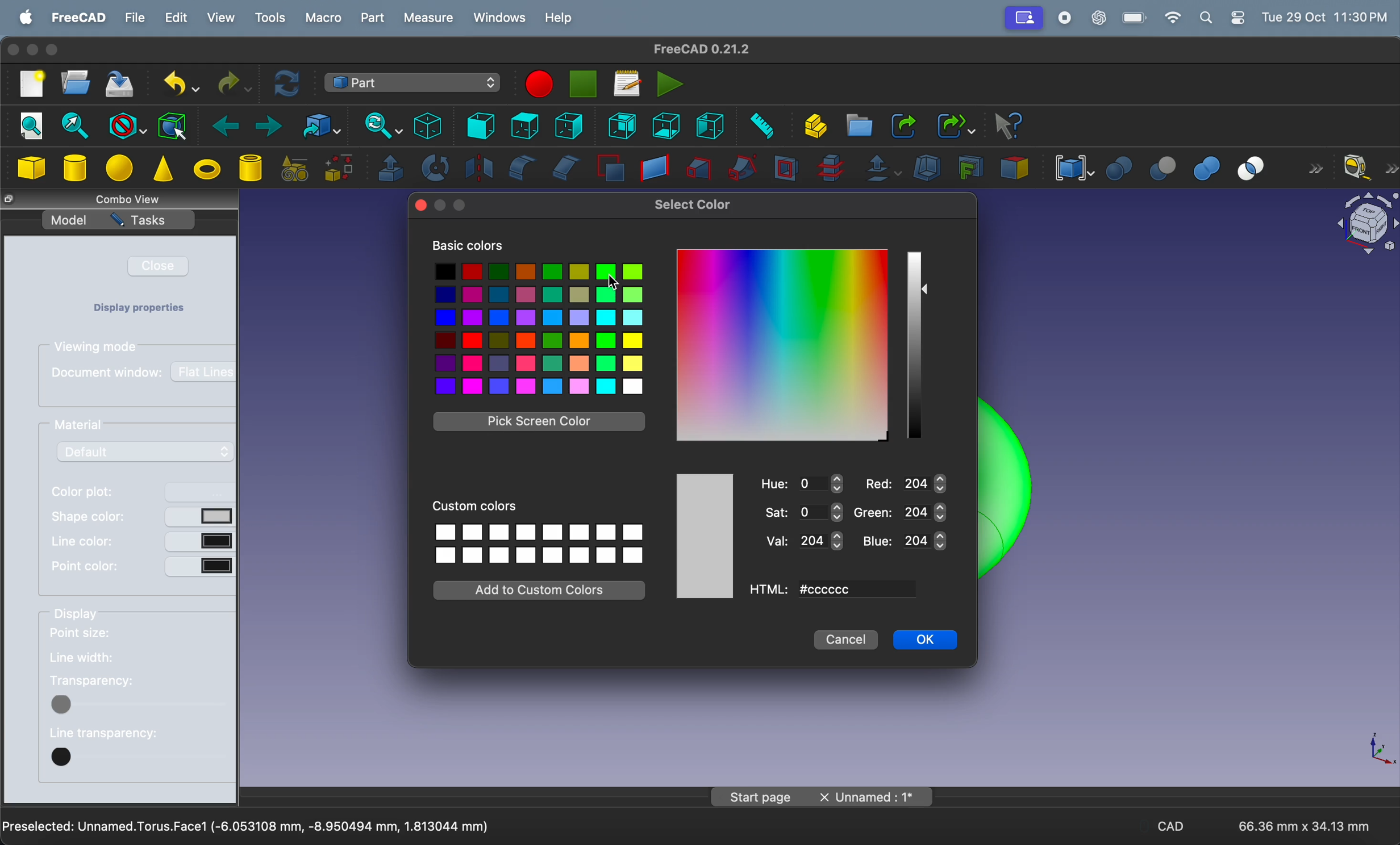 This screenshot has width=1400, height=845. Describe the element at coordinates (968, 167) in the screenshot. I see `create projection on surface` at that location.